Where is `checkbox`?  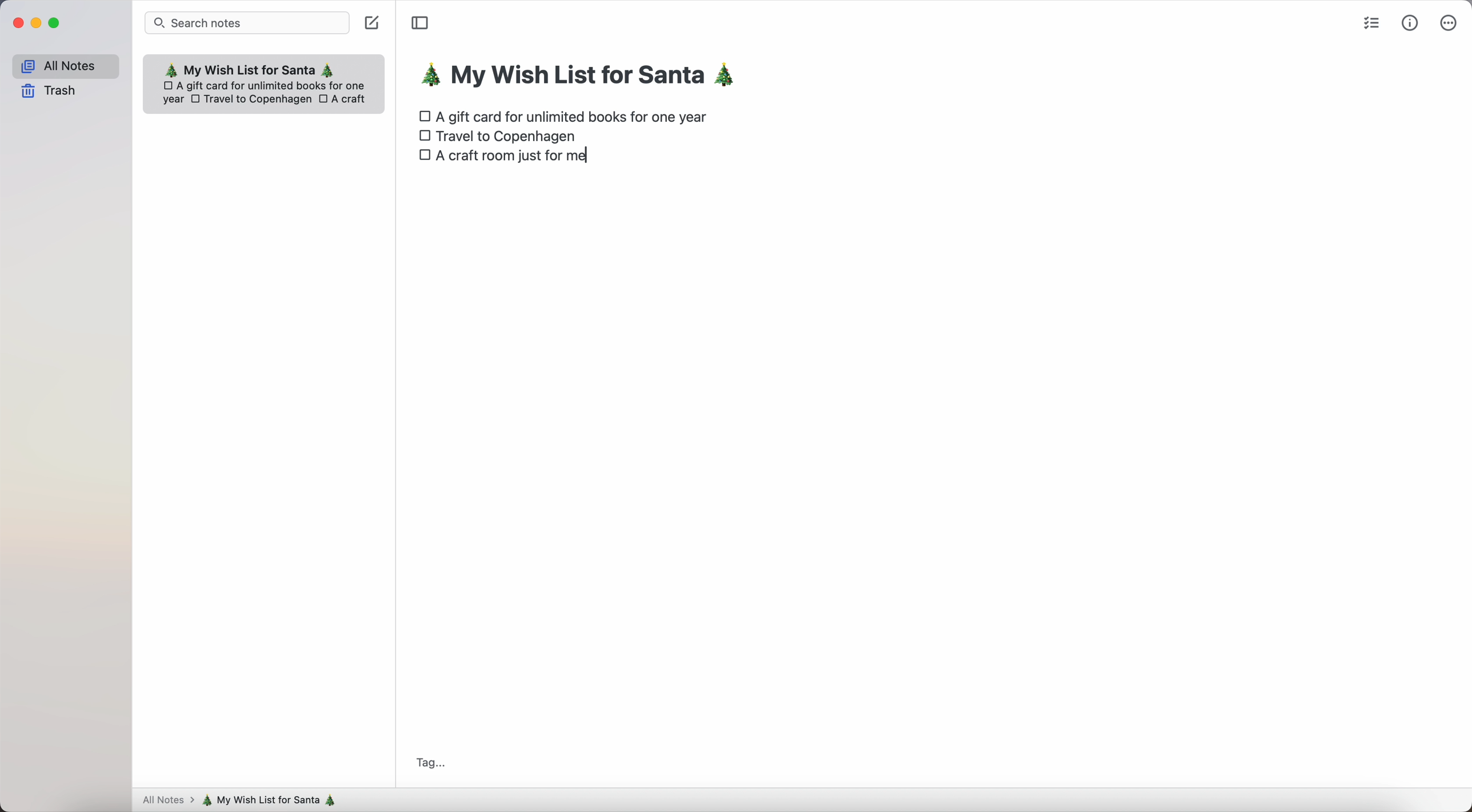 checkbox is located at coordinates (422, 136).